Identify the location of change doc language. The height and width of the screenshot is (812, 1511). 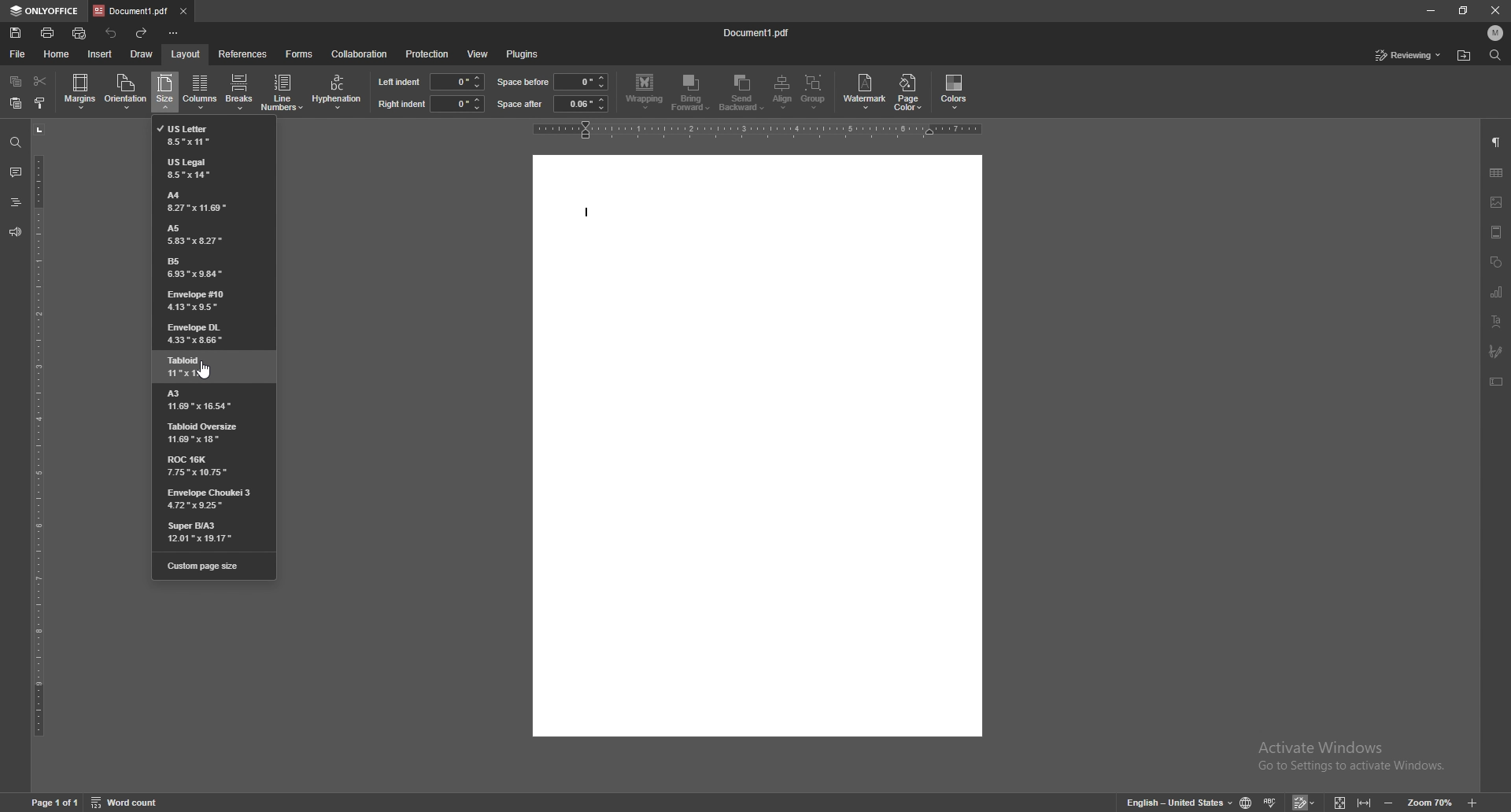
(1247, 802).